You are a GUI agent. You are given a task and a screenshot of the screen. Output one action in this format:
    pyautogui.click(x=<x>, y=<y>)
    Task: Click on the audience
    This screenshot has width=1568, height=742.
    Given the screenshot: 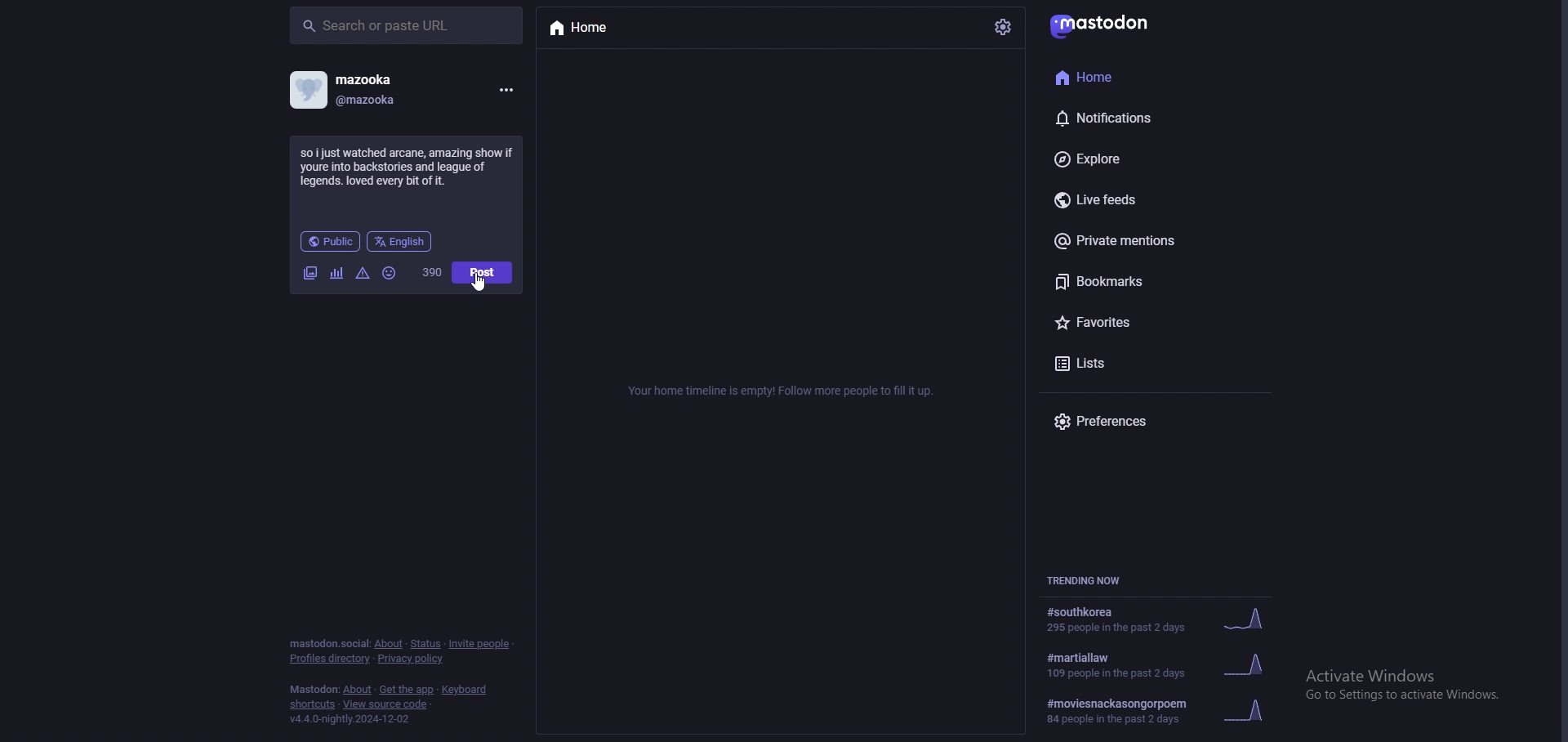 What is the action you would take?
    pyautogui.click(x=331, y=242)
    